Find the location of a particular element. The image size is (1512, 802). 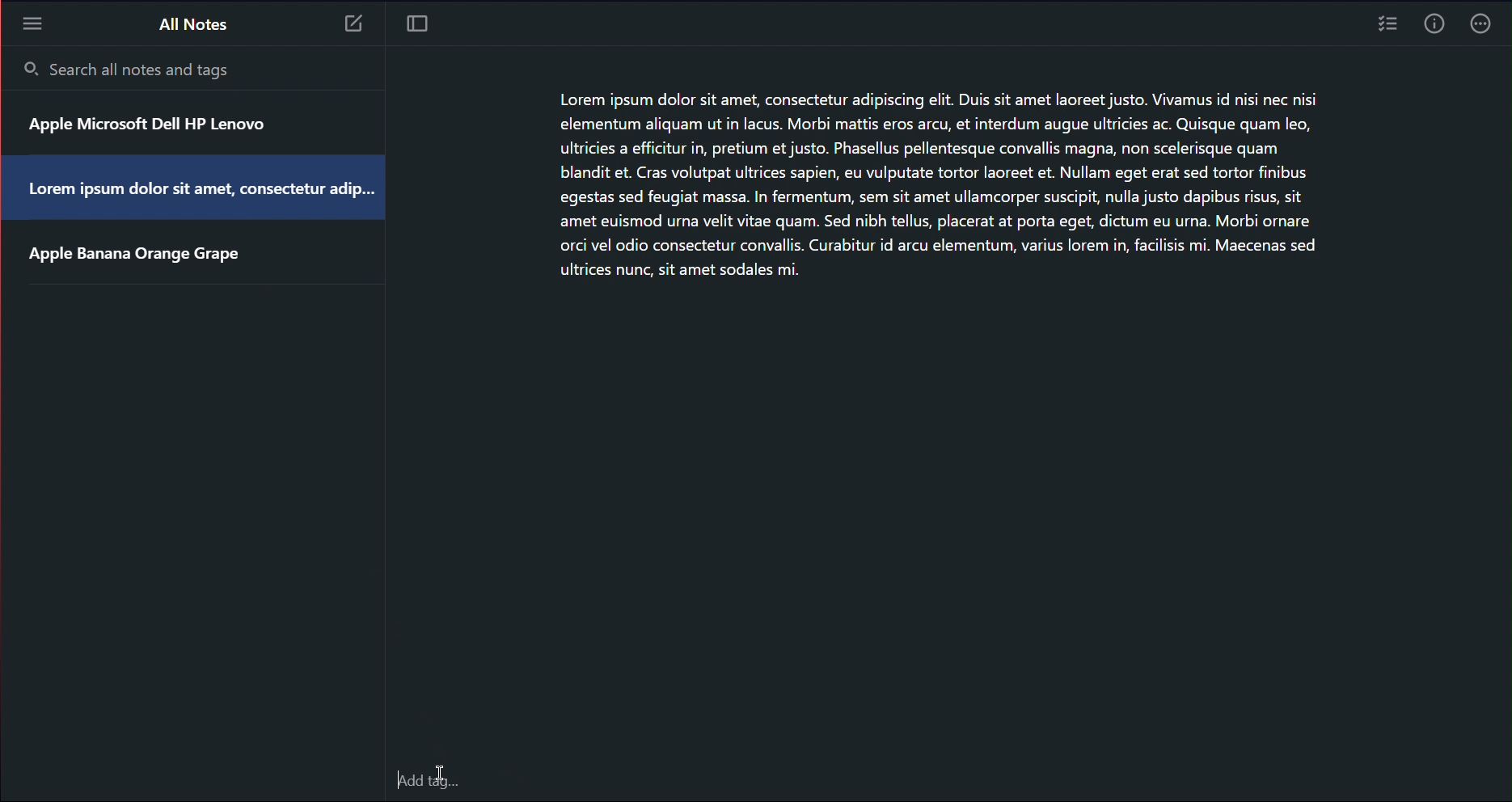

Note 3 is located at coordinates (356, 26).